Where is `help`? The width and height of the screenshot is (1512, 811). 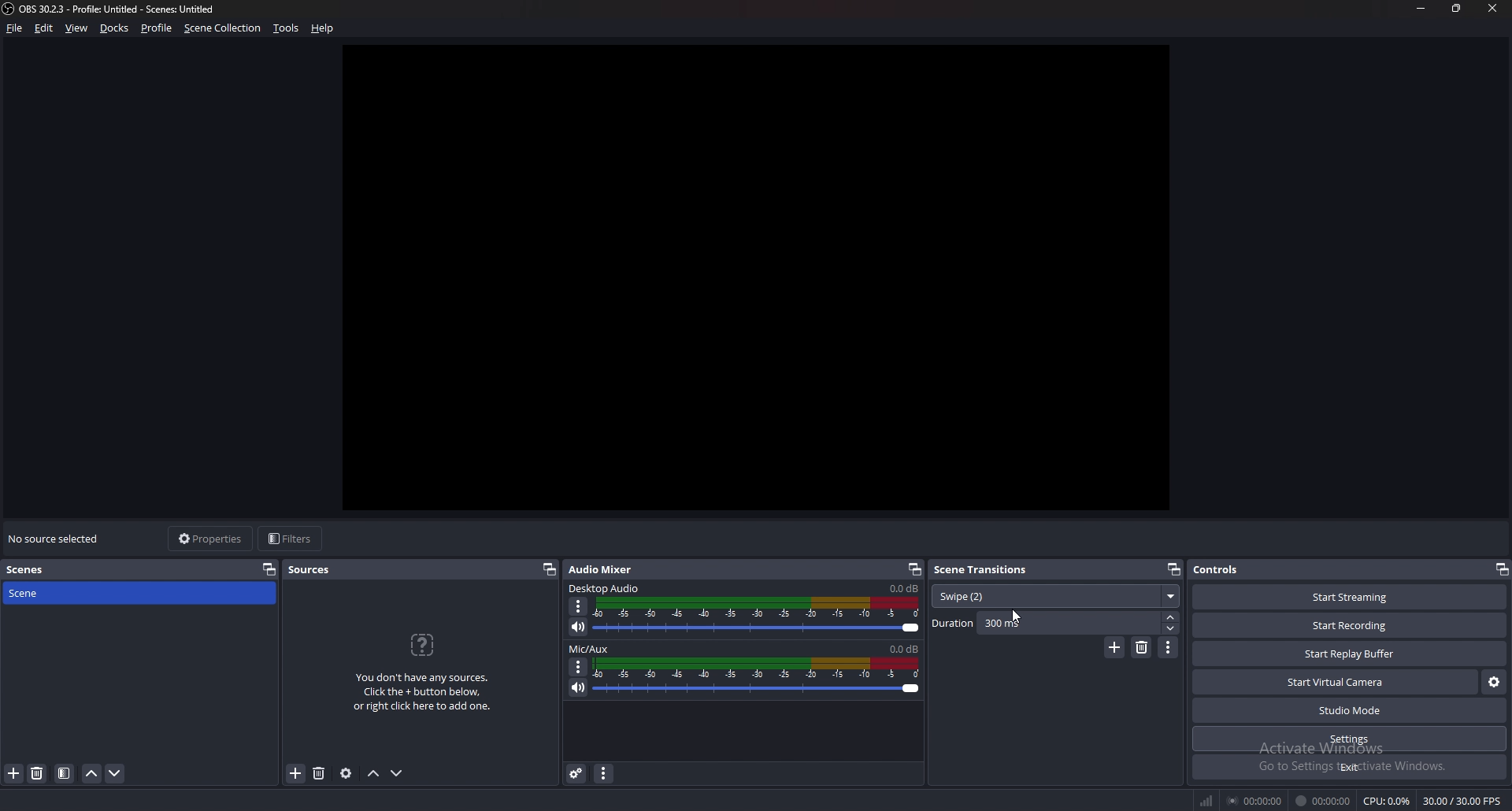
help is located at coordinates (323, 29).